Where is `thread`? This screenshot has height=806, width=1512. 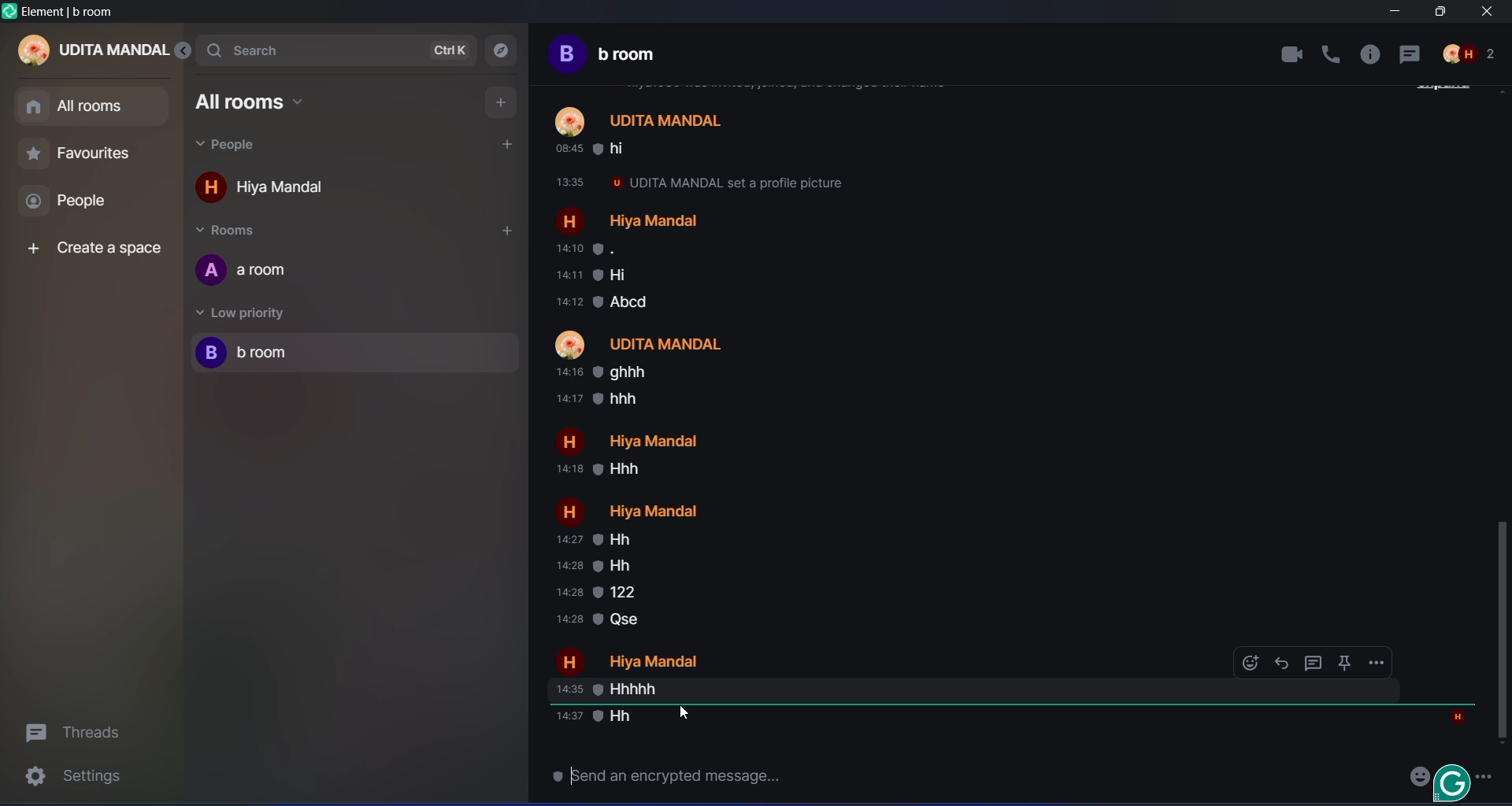 thread is located at coordinates (73, 734).